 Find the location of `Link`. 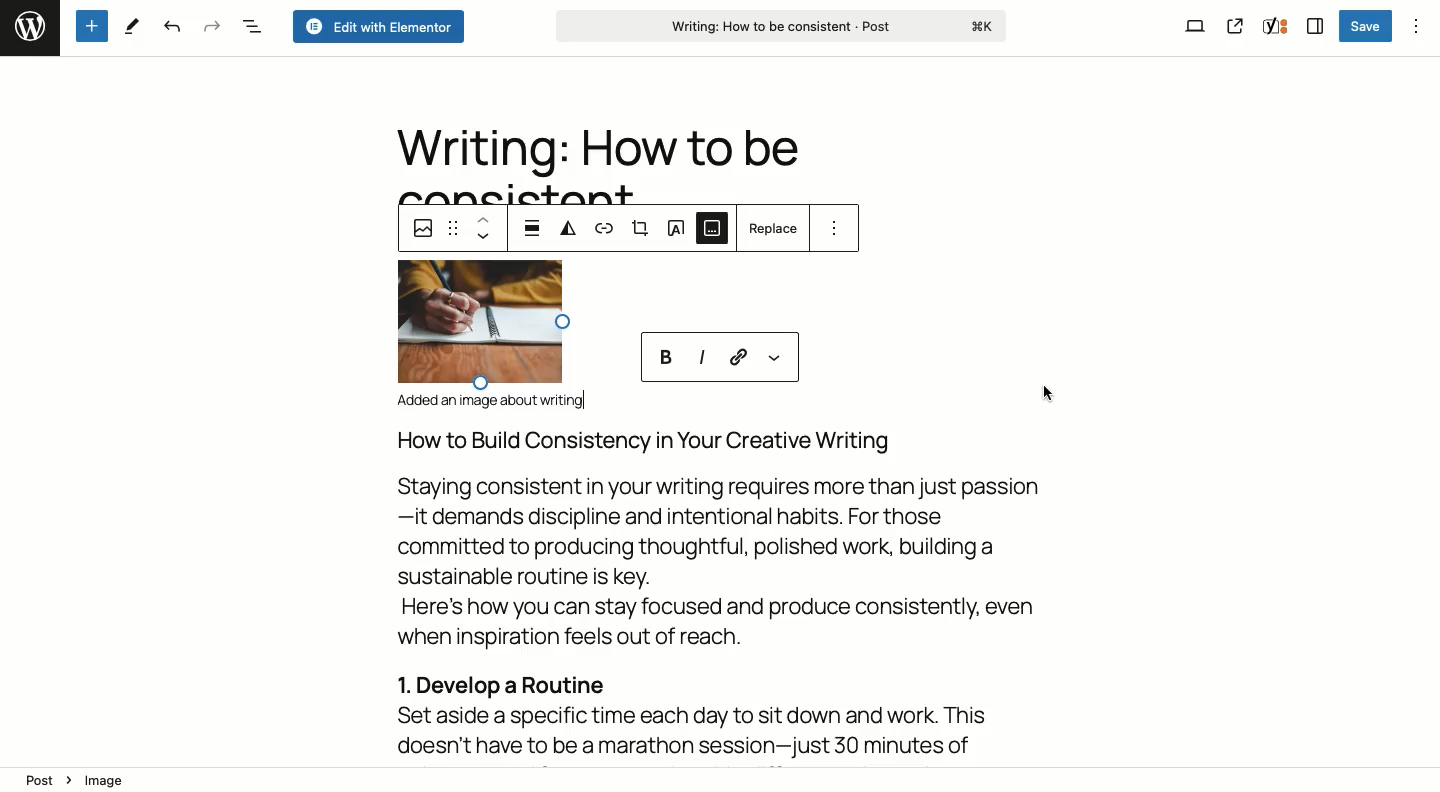

Link is located at coordinates (737, 354).